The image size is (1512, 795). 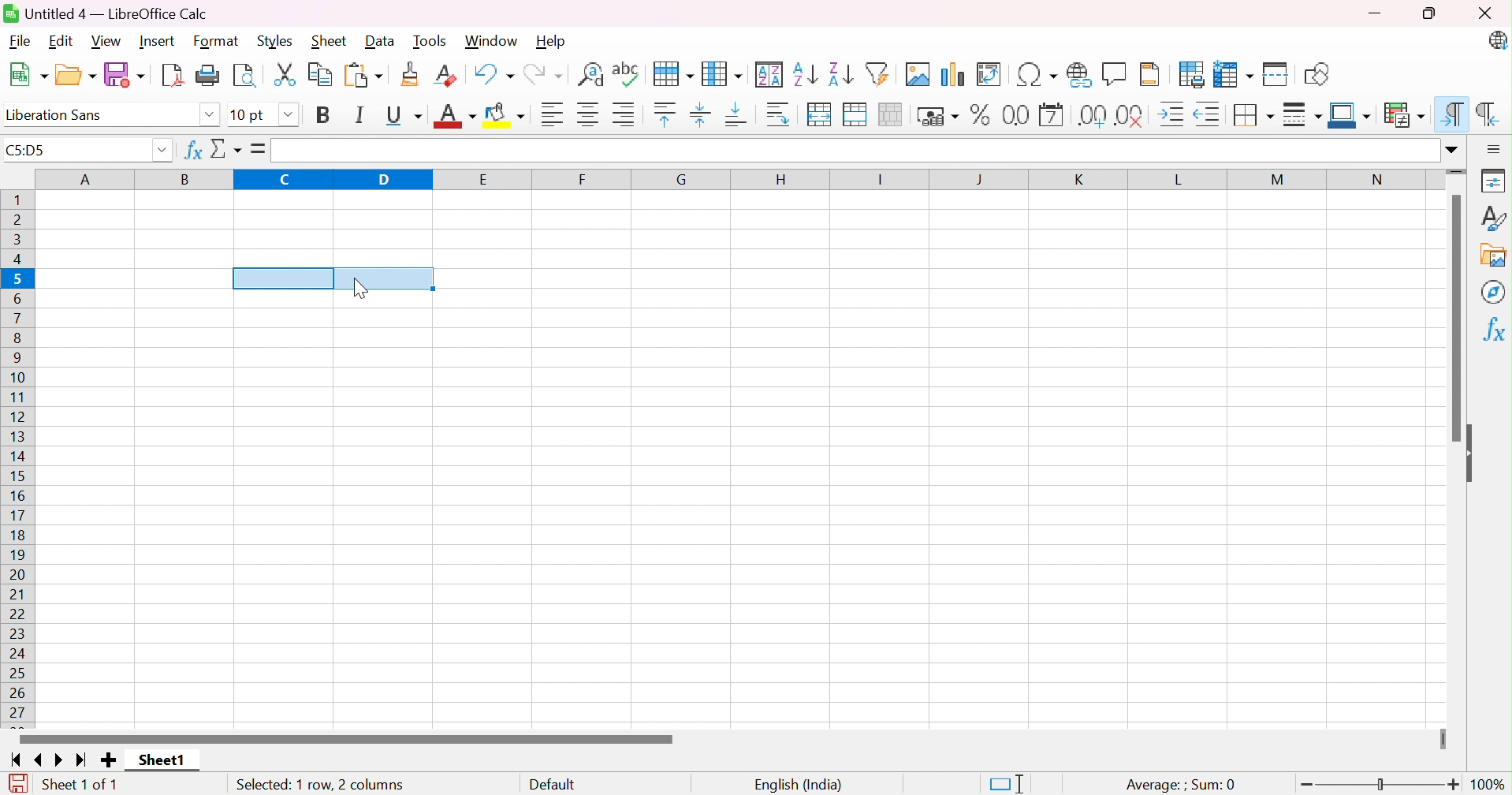 What do you see at coordinates (724, 71) in the screenshot?
I see `Column` at bounding box center [724, 71].